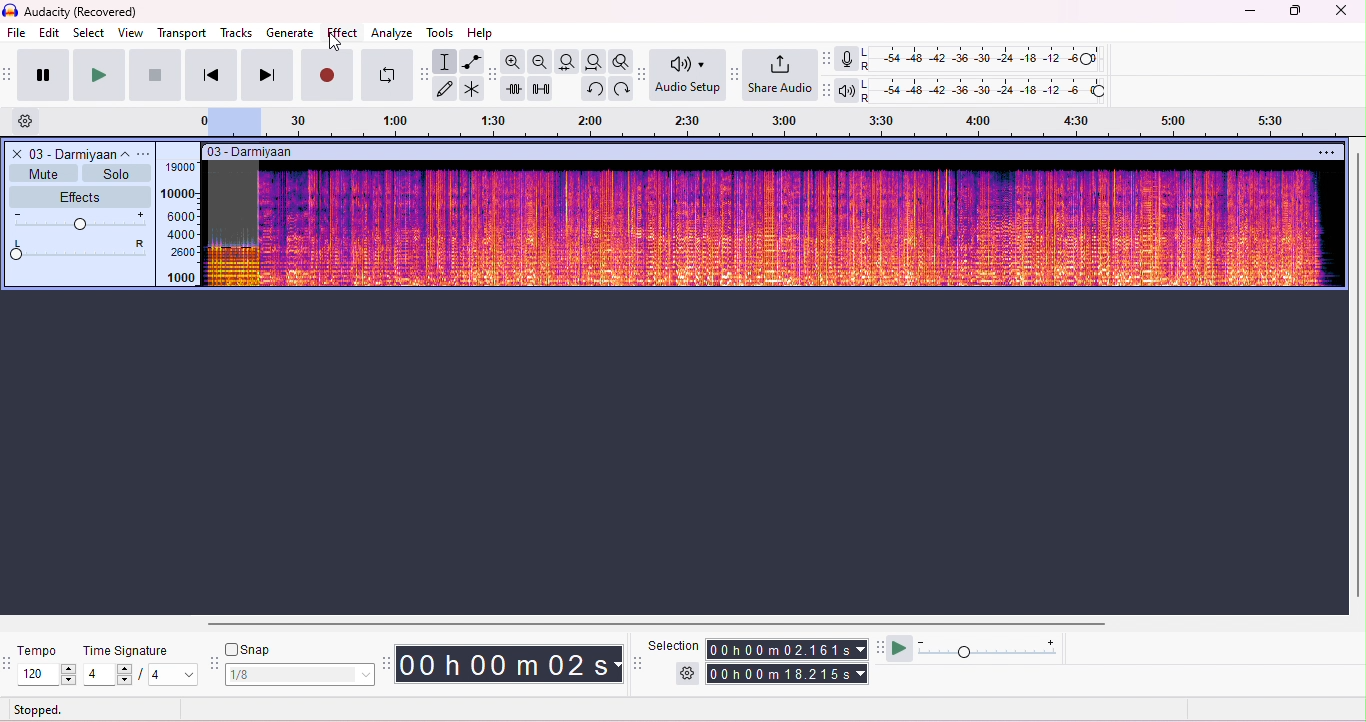  I want to click on frequency, so click(181, 224).